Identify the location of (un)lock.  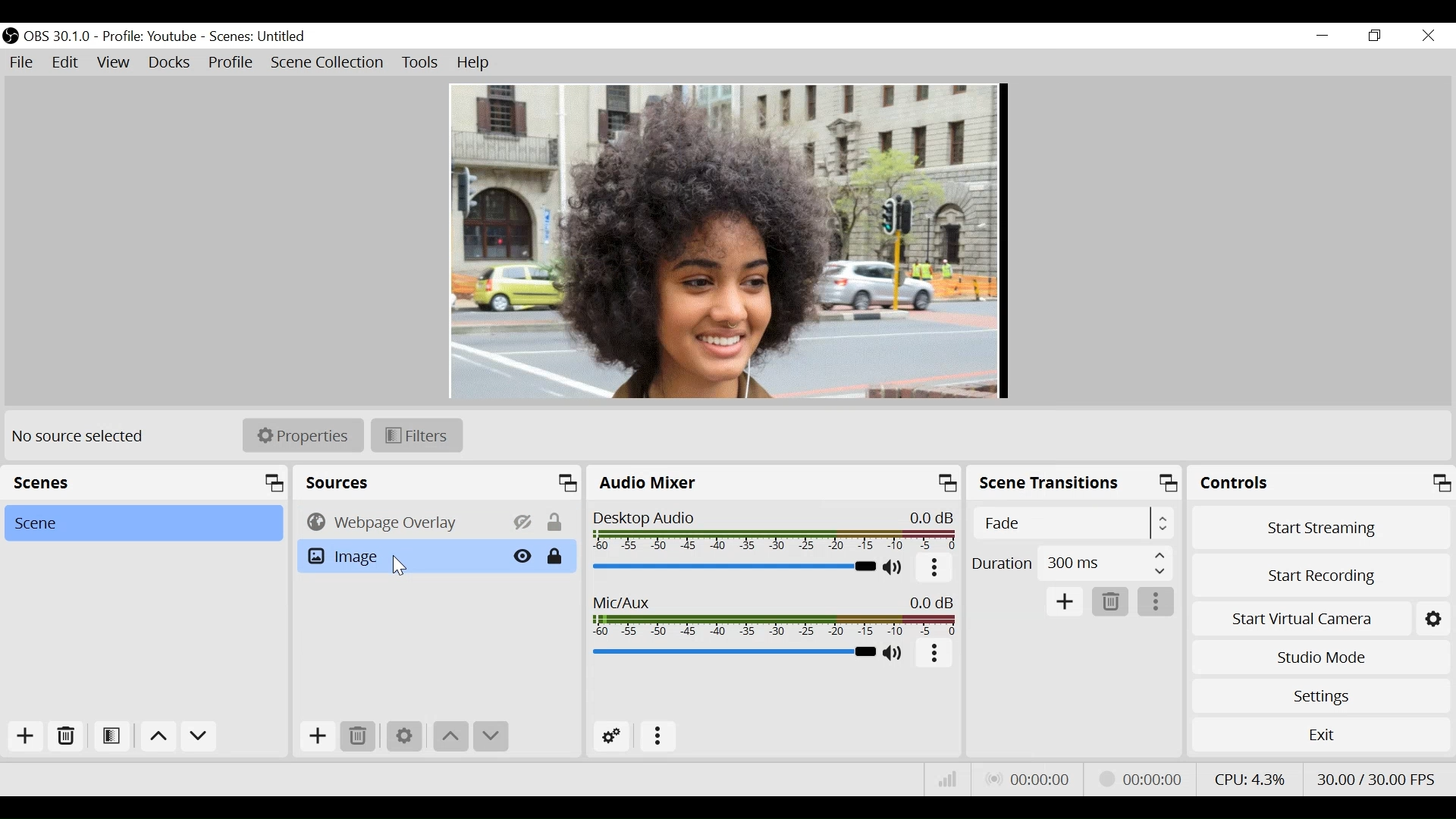
(557, 522).